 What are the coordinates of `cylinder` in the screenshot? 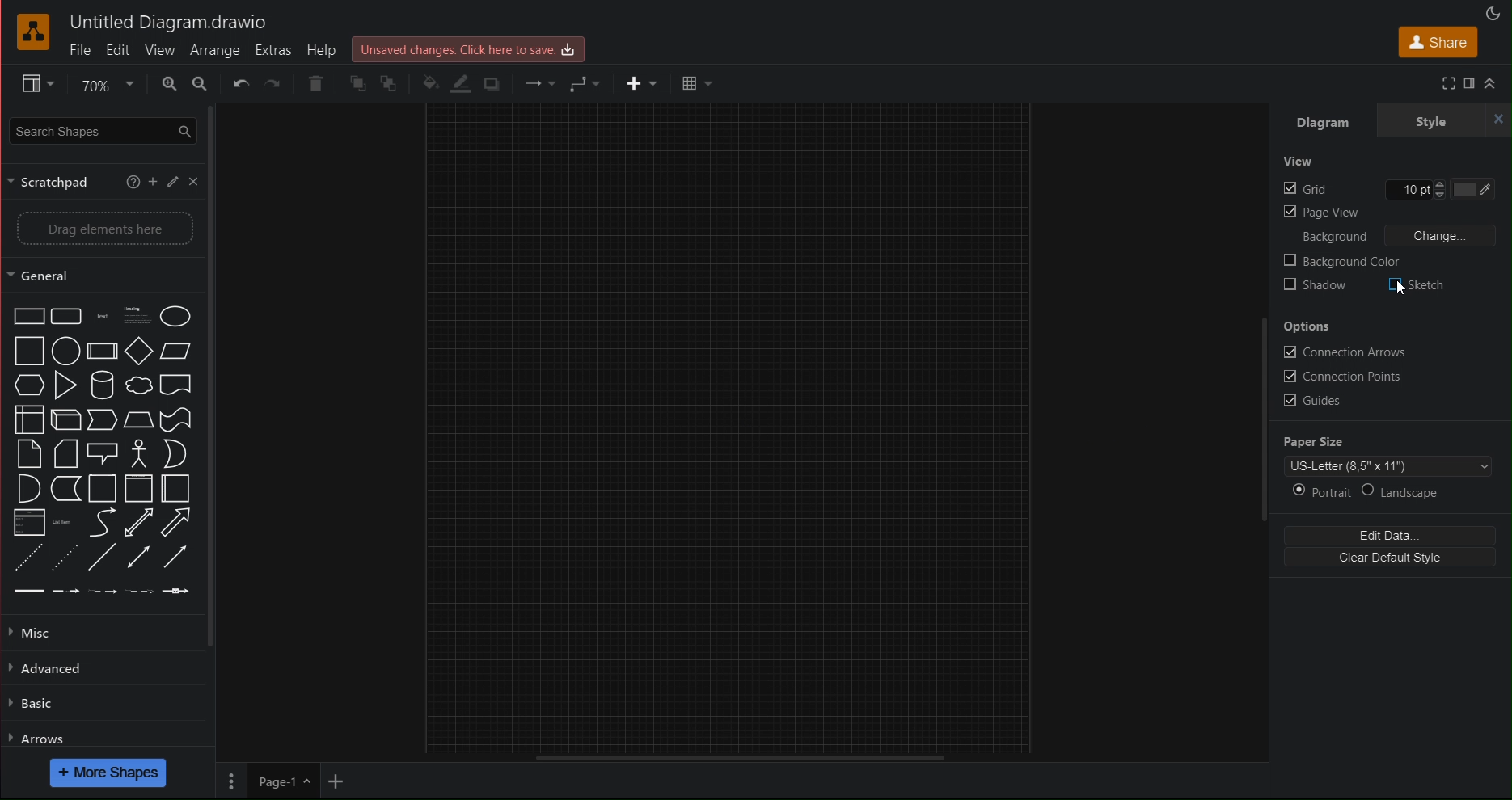 It's located at (100, 385).